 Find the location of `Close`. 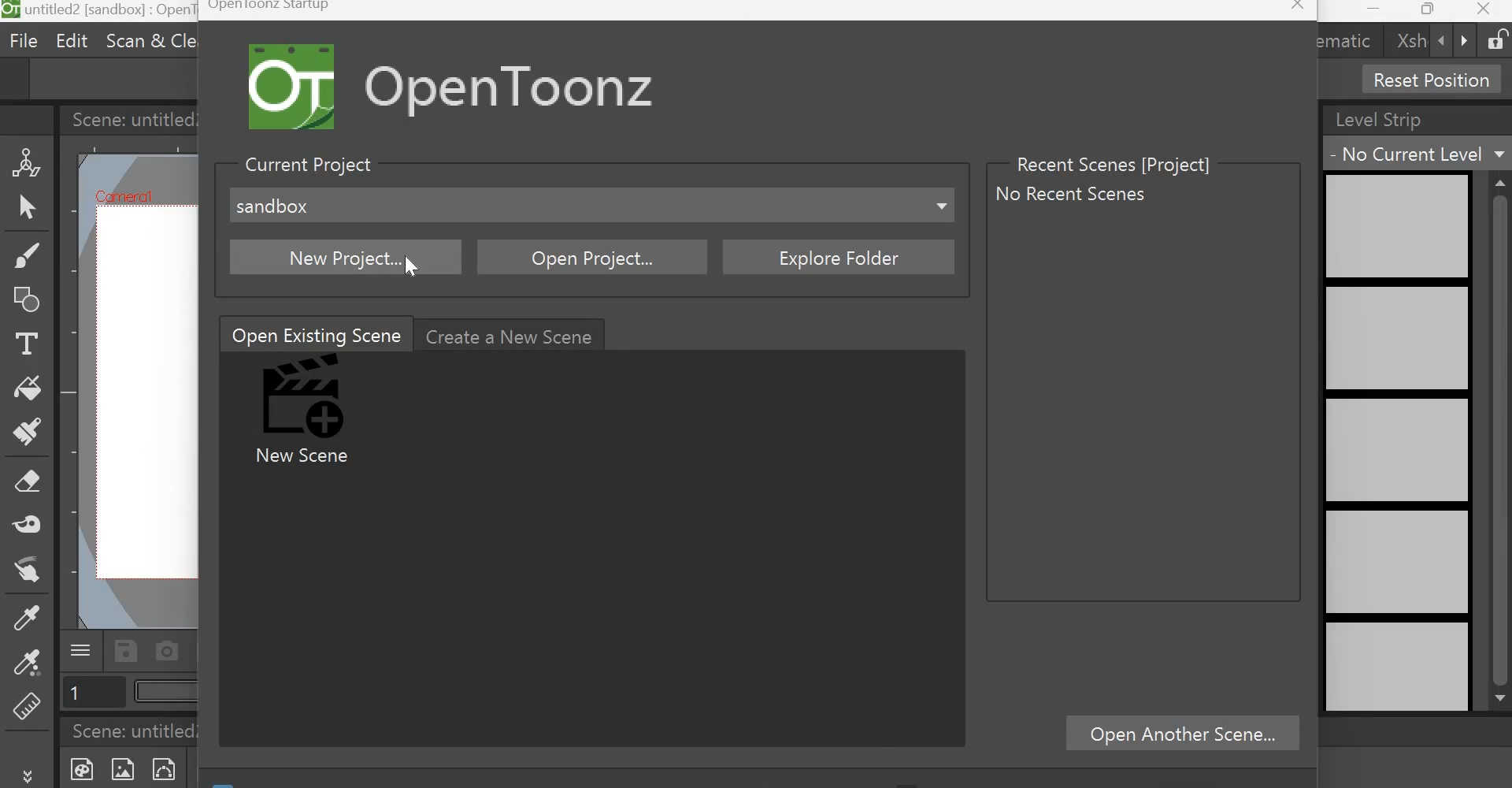

Close is located at coordinates (1488, 11).